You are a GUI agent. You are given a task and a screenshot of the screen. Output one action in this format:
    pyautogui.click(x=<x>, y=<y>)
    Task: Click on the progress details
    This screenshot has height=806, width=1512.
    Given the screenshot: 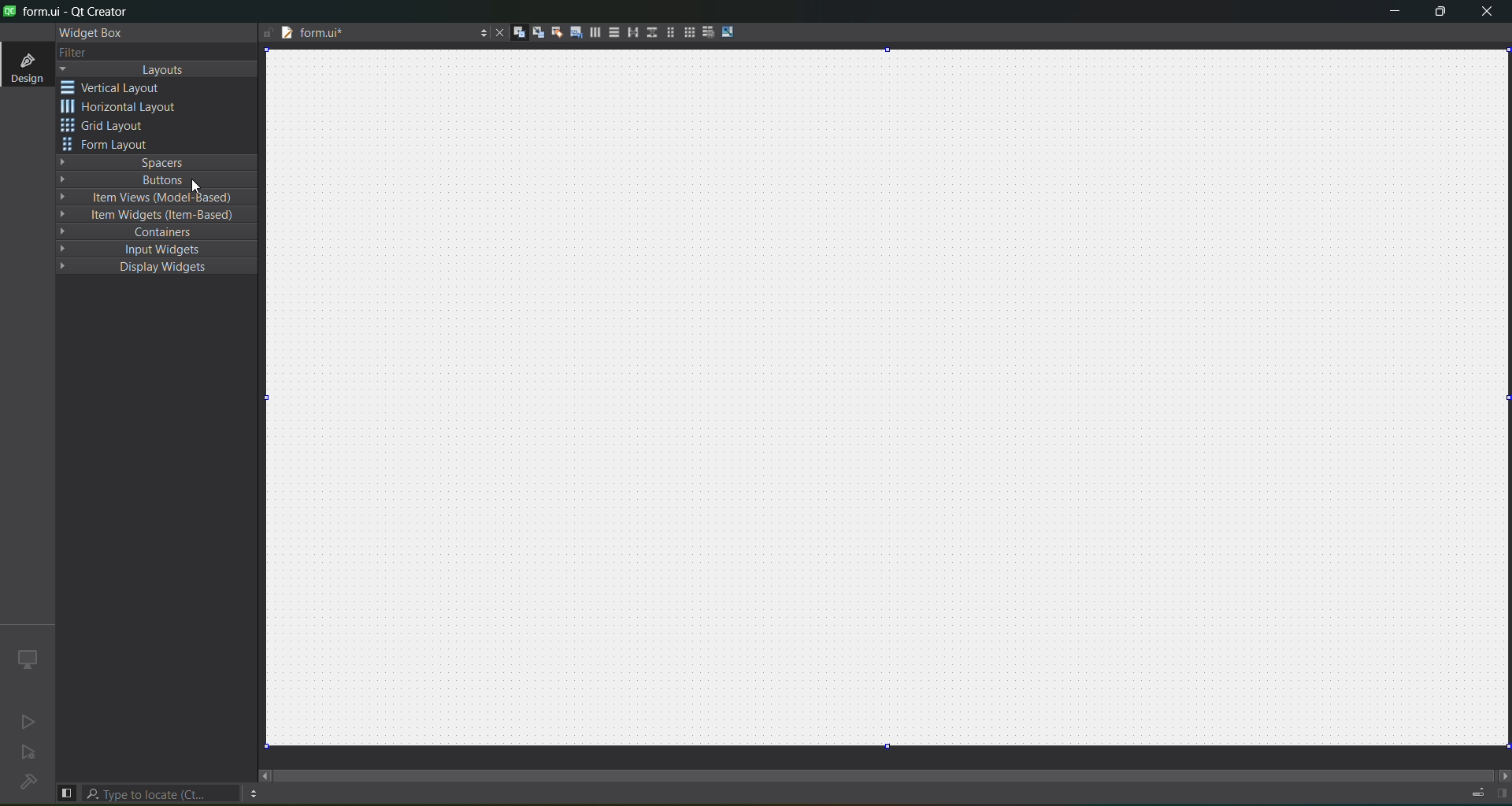 What is the action you would take?
    pyautogui.click(x=1477, y=792)
    